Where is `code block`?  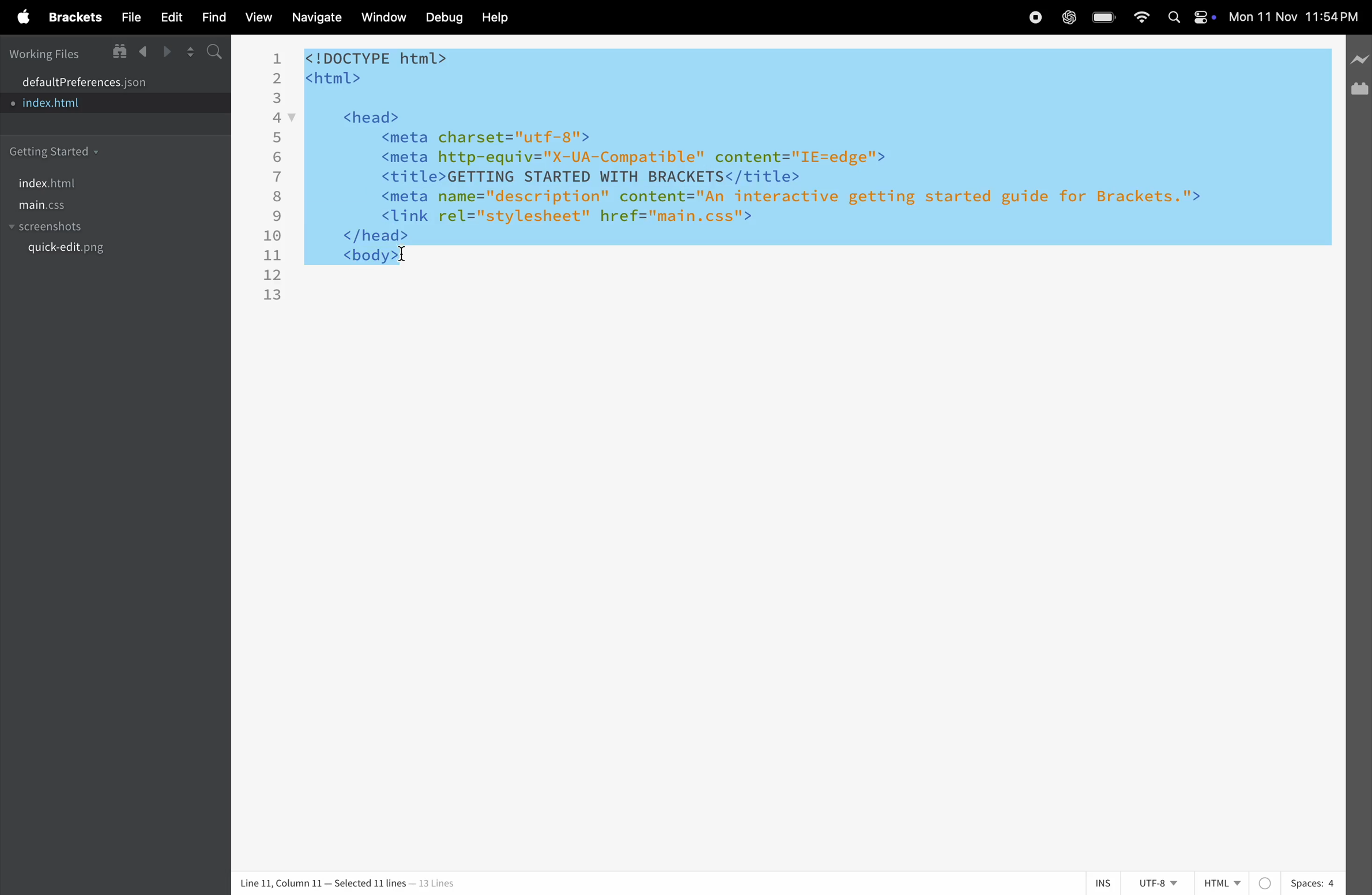 code block is located at coordinates (785, 169).